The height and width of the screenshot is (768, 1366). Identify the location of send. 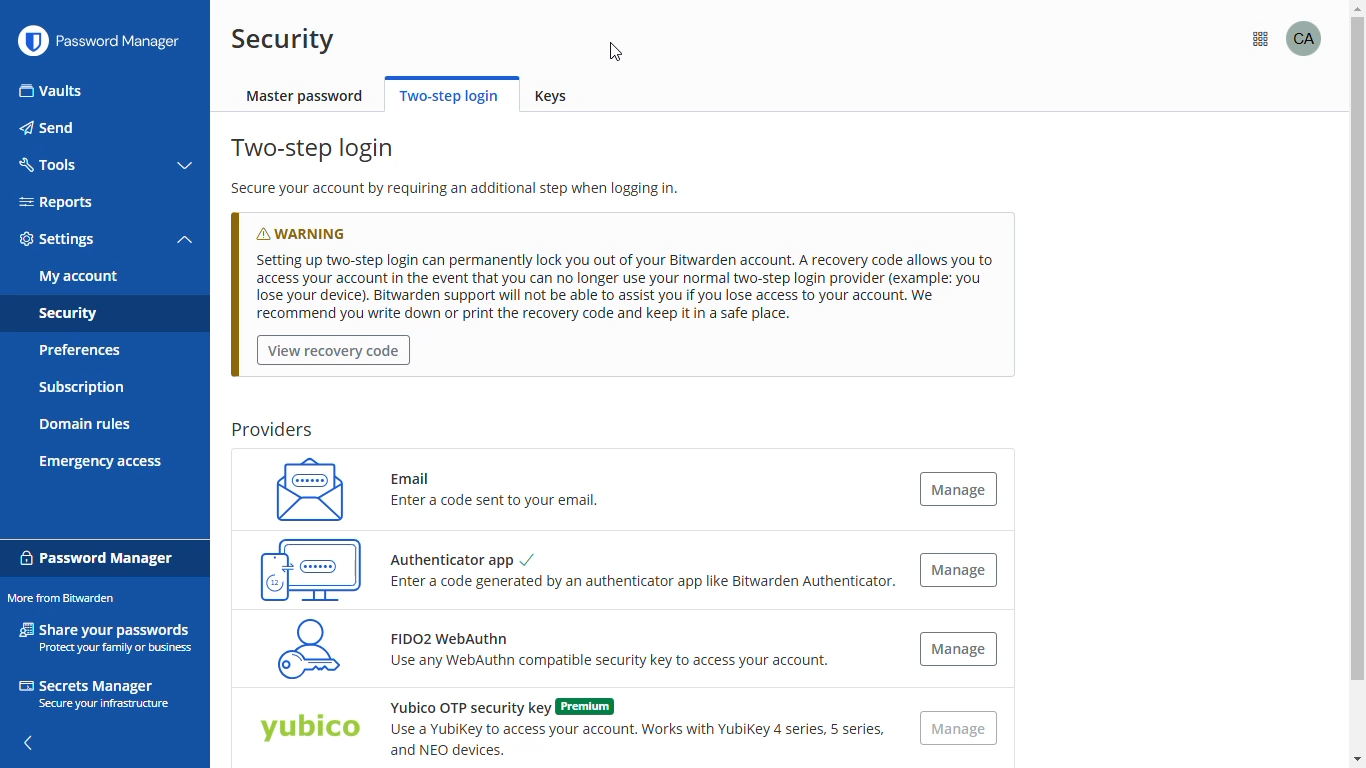
(49, 128).